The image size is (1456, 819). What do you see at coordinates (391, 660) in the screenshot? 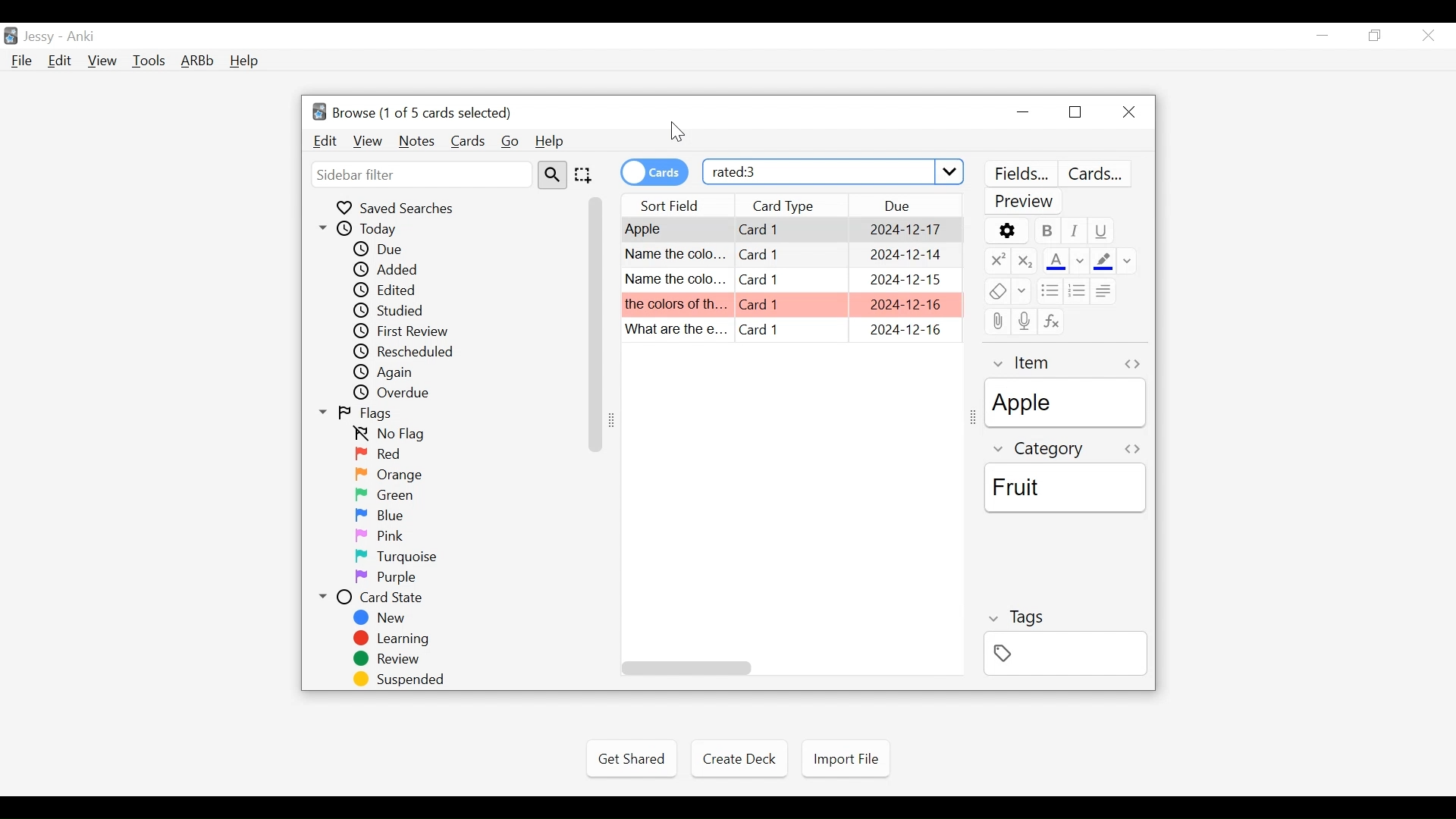
I see `Review` at bounding box center [391, 660].